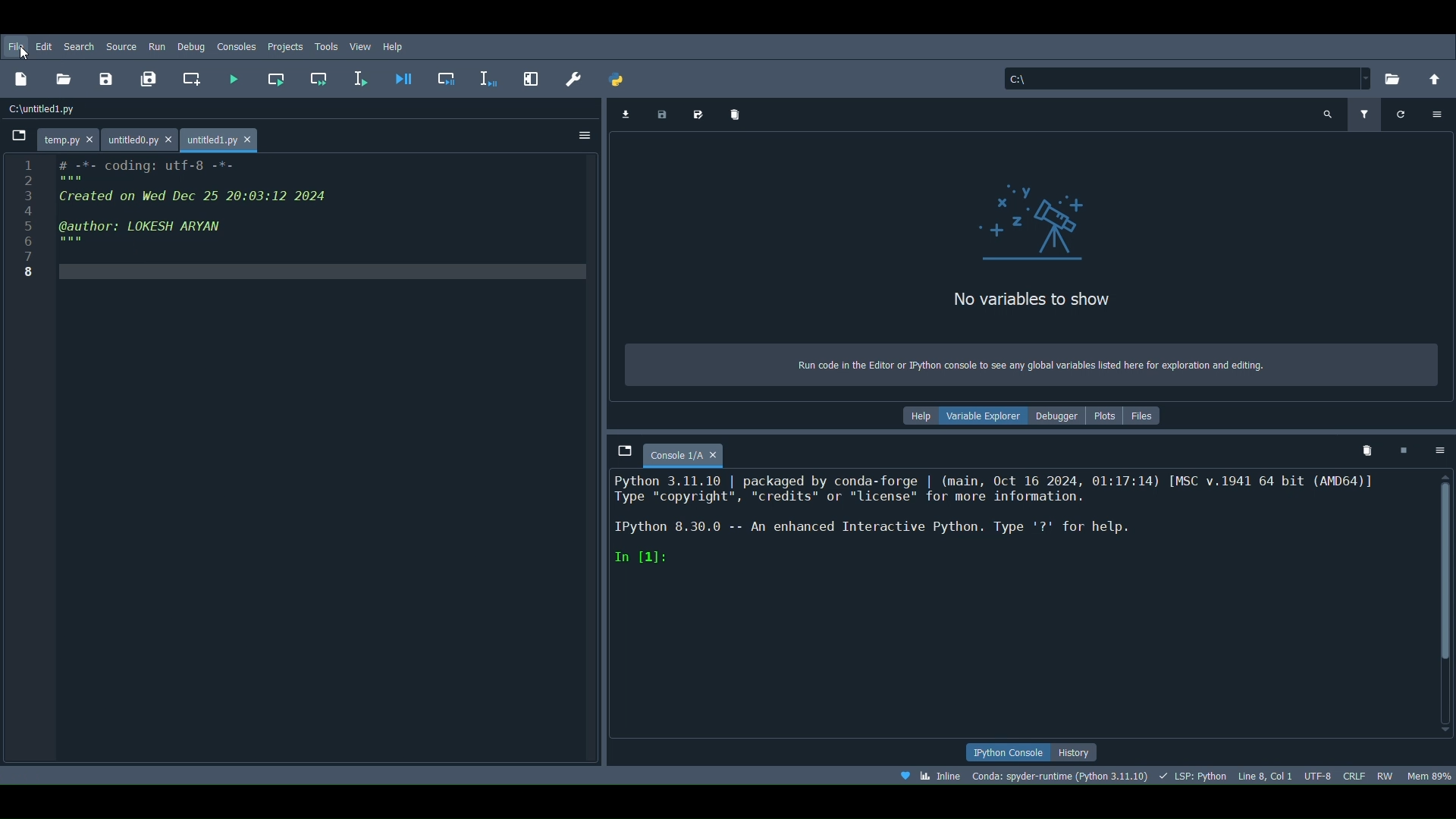 This screenshot has height=819, width=1456. I want to click on Browse tabs, so click(17, 137).